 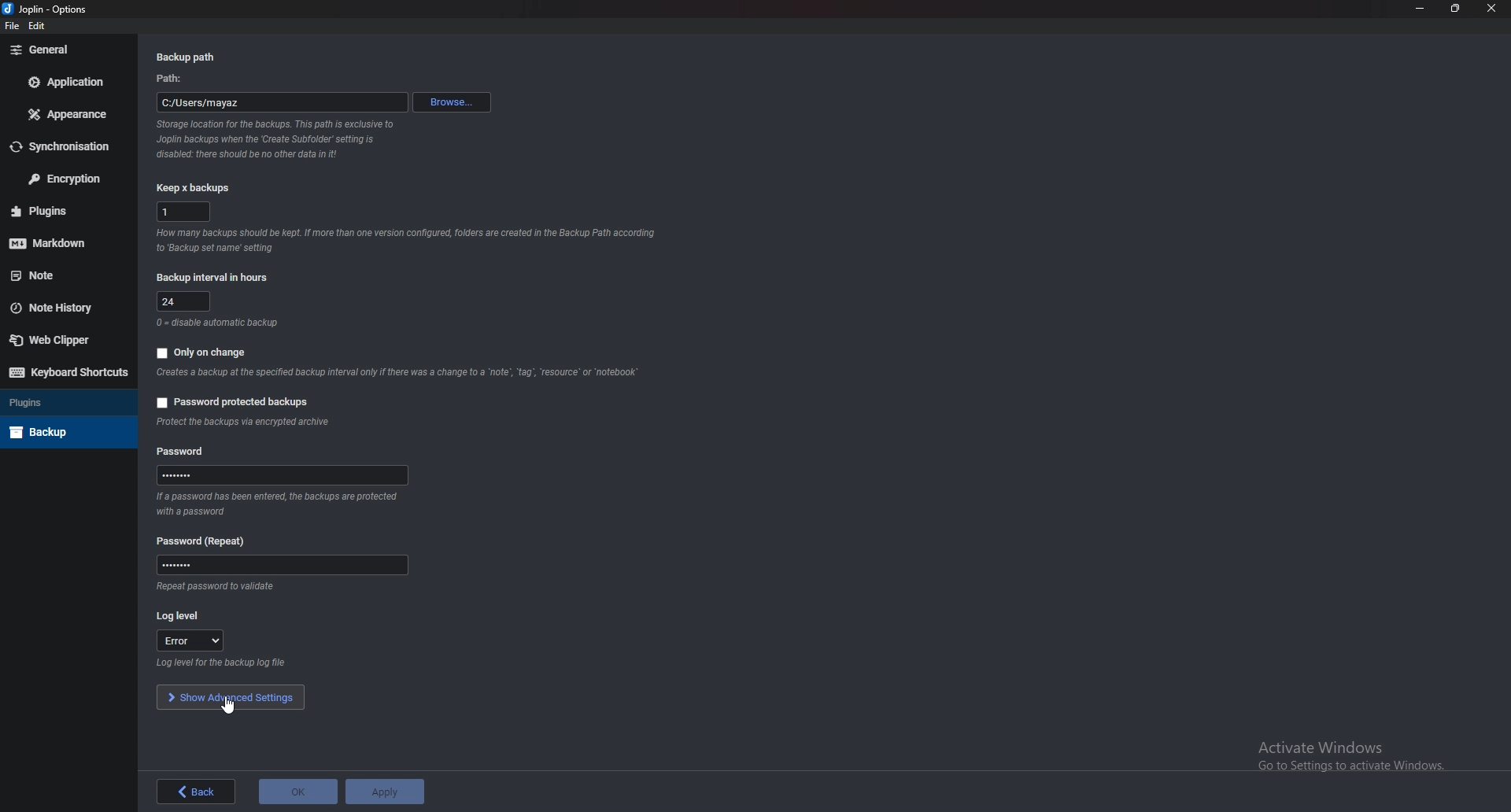 I want to click on Resize, so click(x=1457, y=8).